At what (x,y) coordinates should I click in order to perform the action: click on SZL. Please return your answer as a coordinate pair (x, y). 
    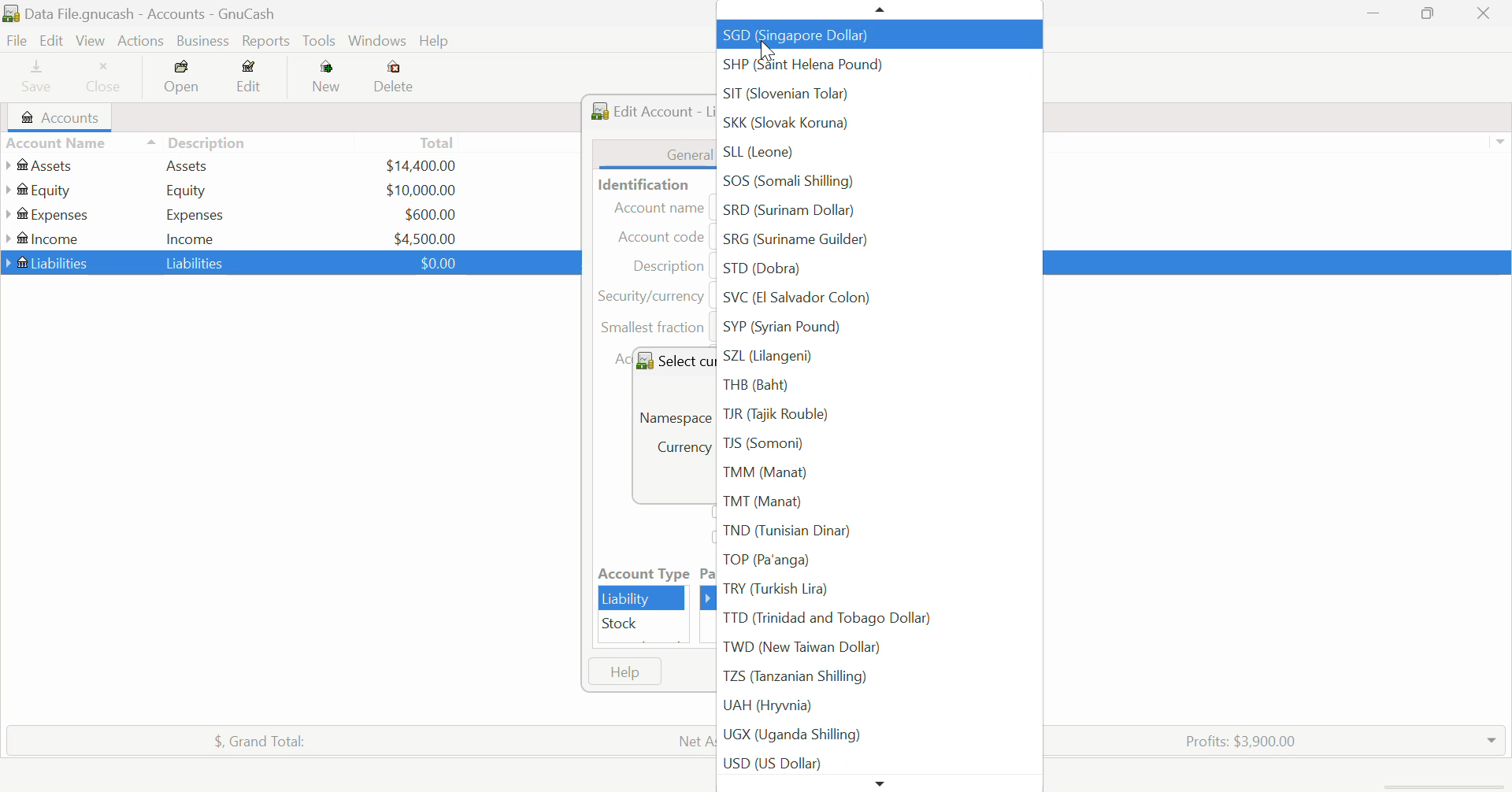
    Looking at the image, I should click on (877, 357).